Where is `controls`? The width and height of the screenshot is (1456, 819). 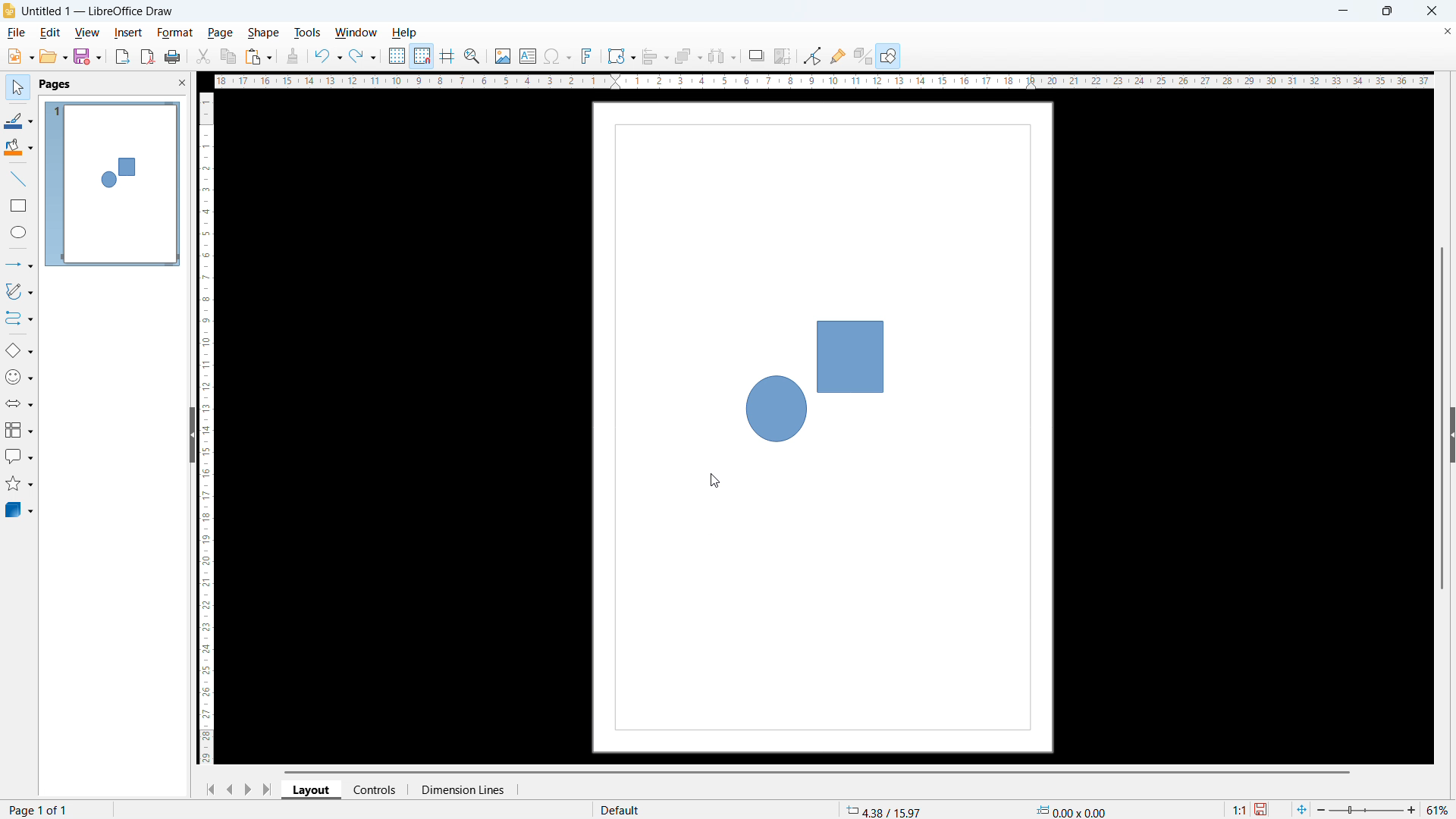
controls is located at coordinates (375, 790).